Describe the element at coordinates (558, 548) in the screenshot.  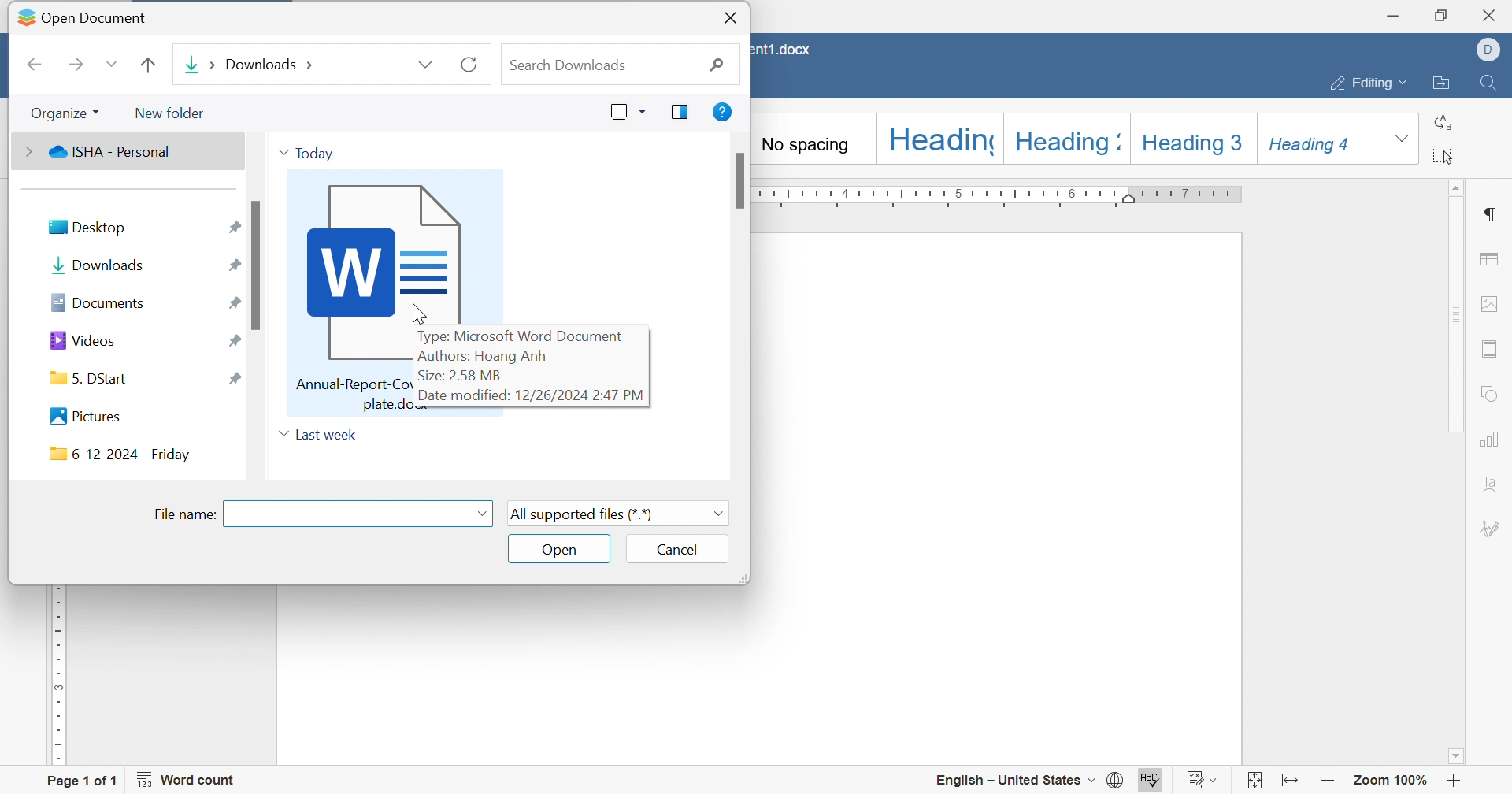
I see `open` at that location.